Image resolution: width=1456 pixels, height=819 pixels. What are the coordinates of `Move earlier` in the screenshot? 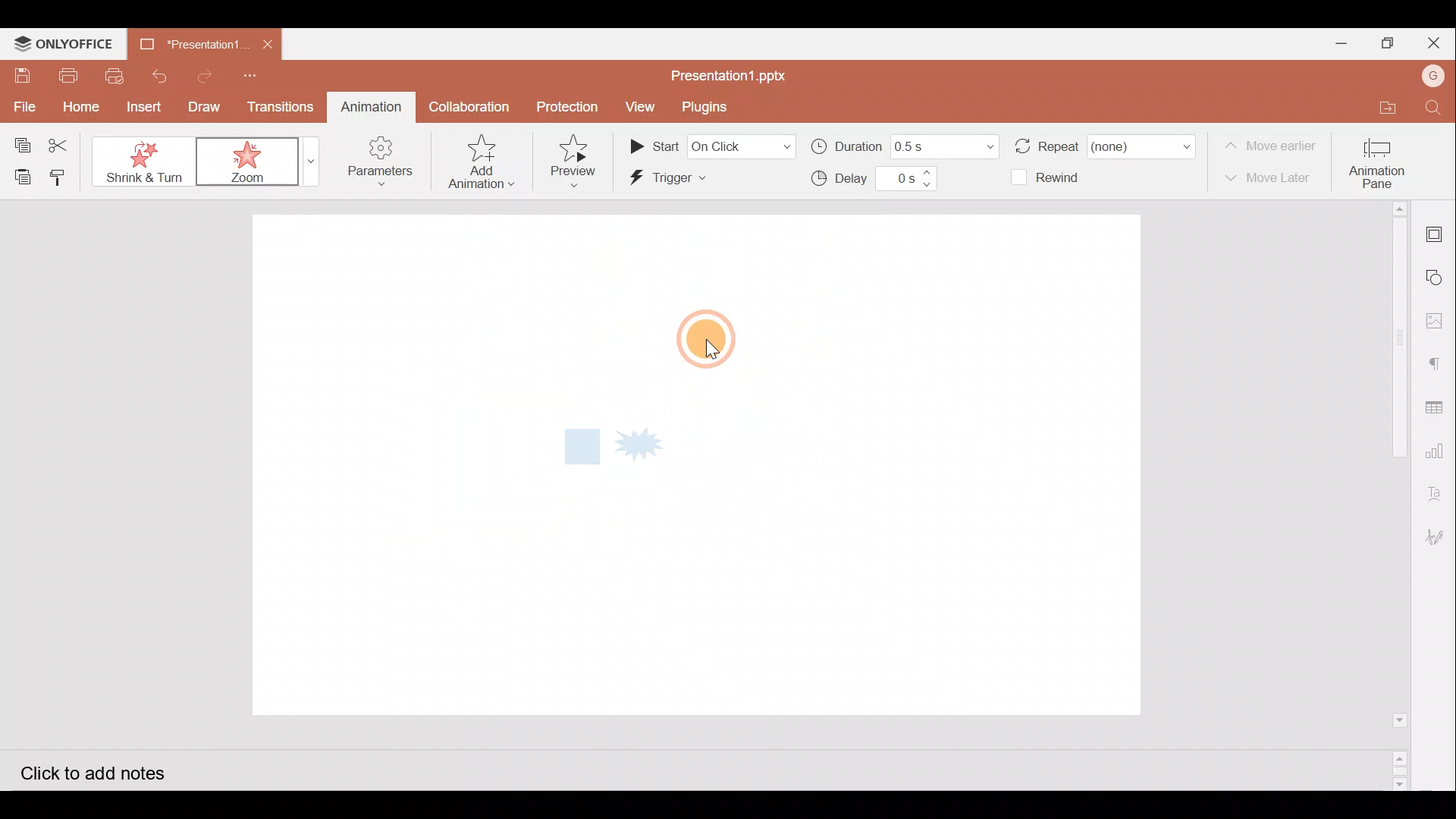 It's located at (1273, 146).